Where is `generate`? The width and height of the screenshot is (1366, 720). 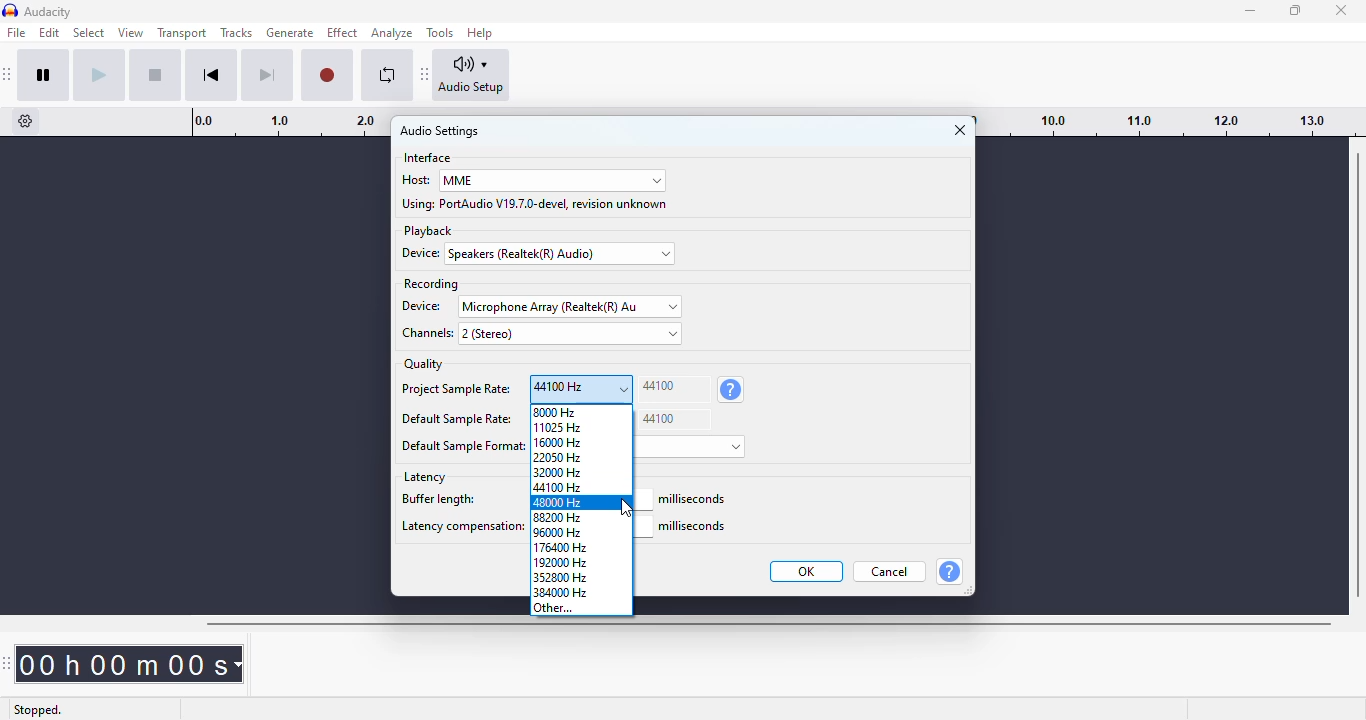 generate is located at coordinates (291, 33).